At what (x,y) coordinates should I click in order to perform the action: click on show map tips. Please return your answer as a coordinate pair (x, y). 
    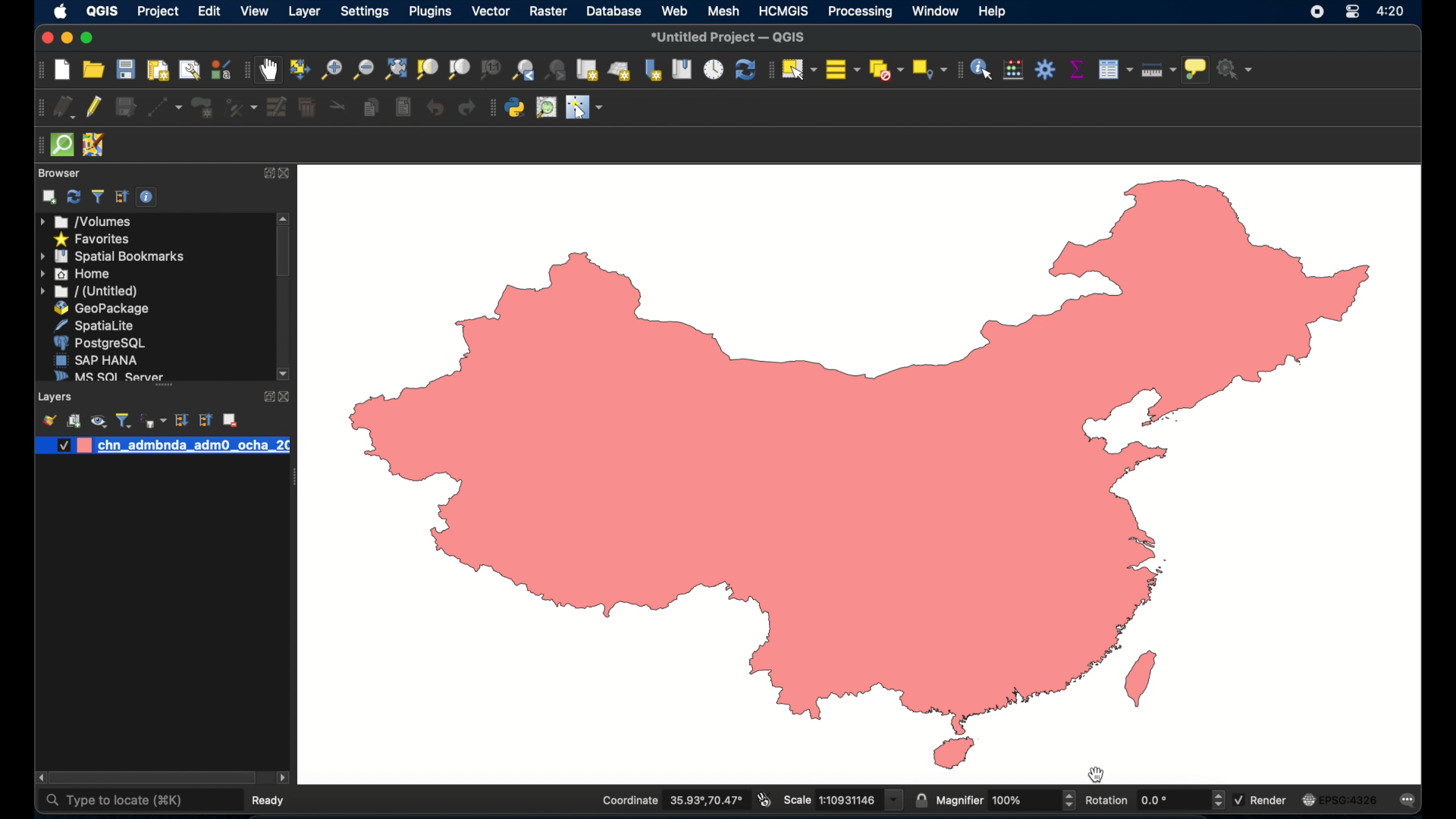
    Looking at the image, I should click on (1196, 71).